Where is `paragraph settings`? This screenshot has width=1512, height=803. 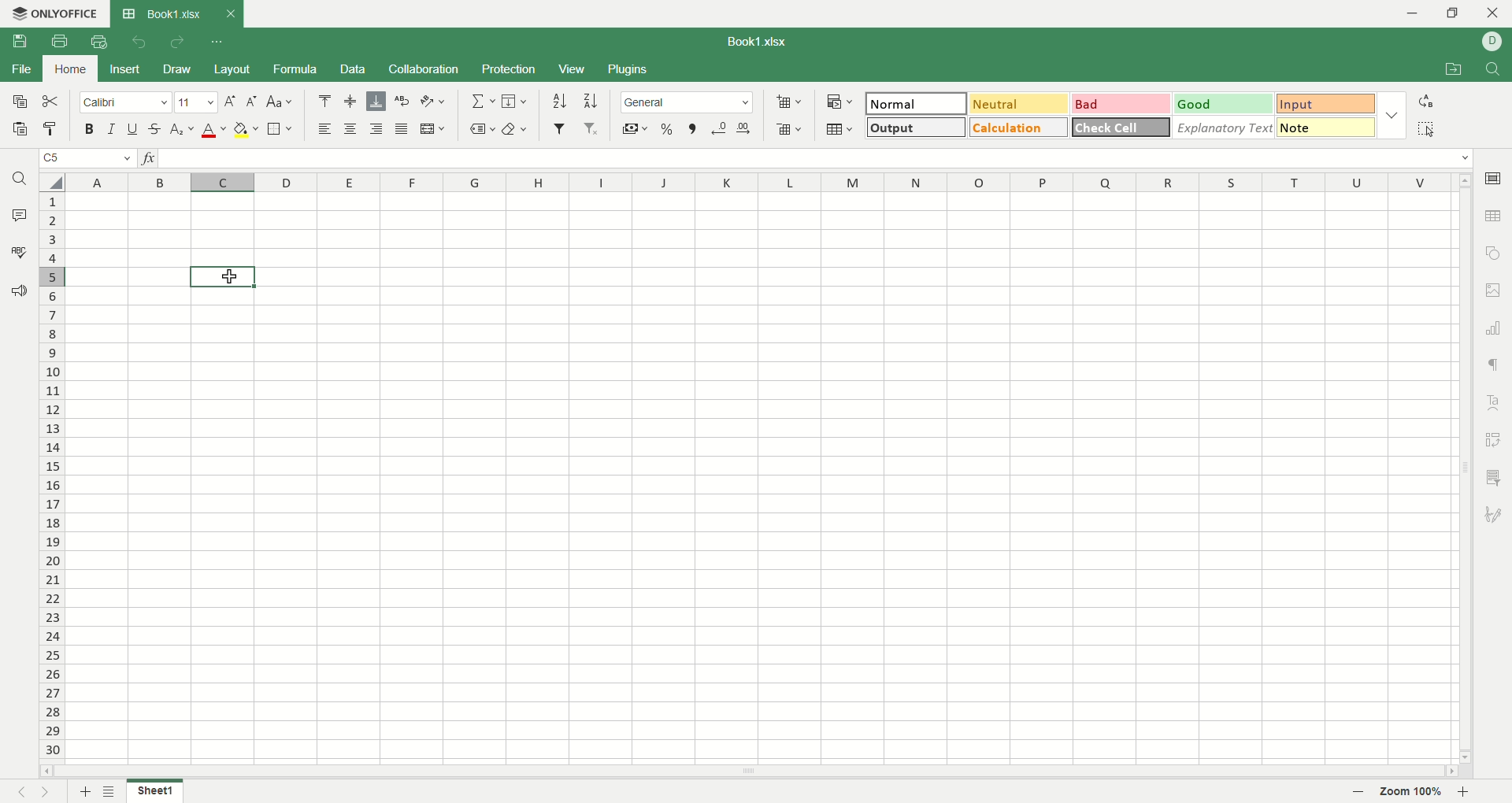
paragraph settings is located at coordinates (1492, 364).